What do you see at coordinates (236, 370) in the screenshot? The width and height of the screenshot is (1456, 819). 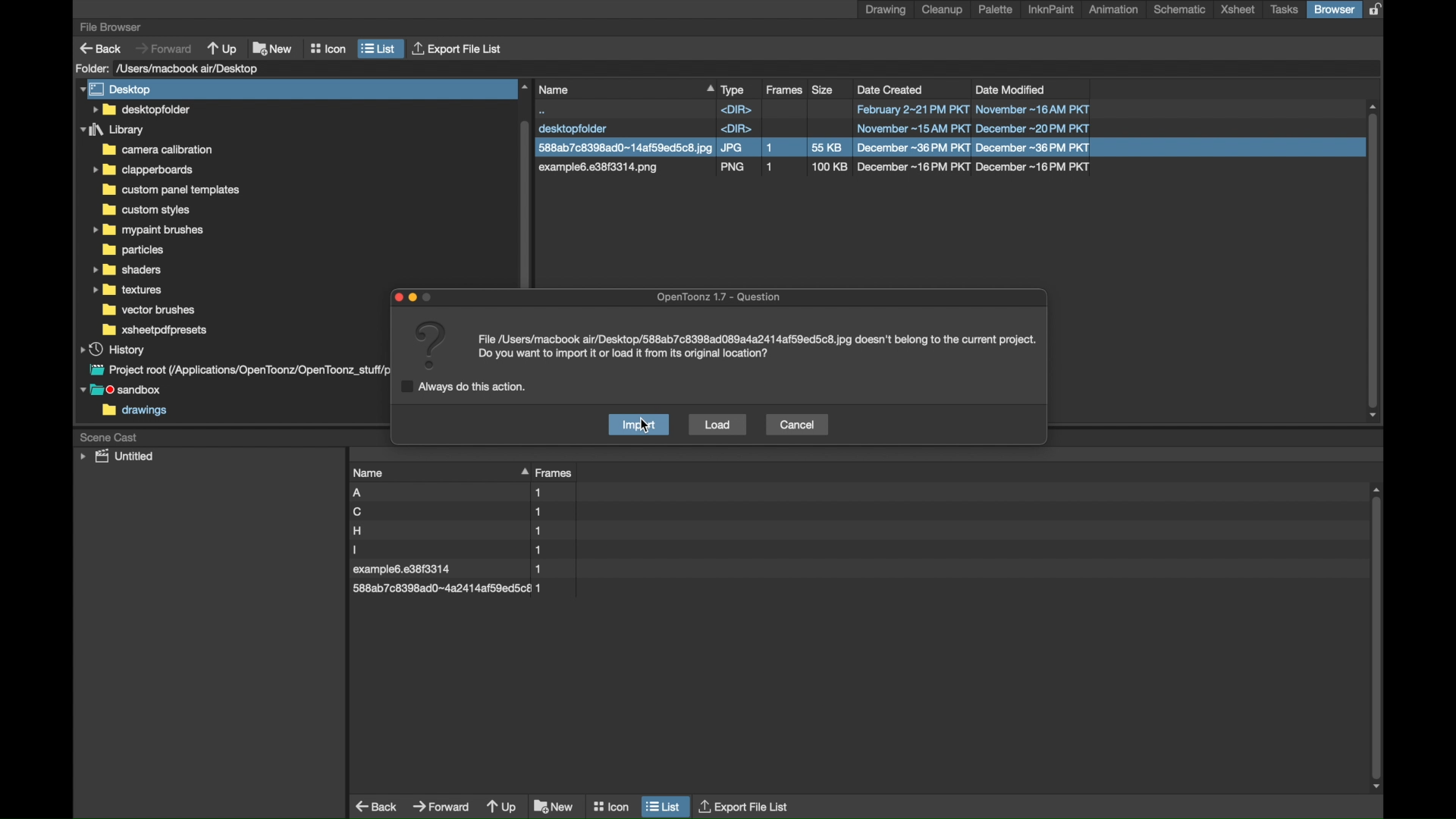 I see `project` at bounding box center [236, 370].